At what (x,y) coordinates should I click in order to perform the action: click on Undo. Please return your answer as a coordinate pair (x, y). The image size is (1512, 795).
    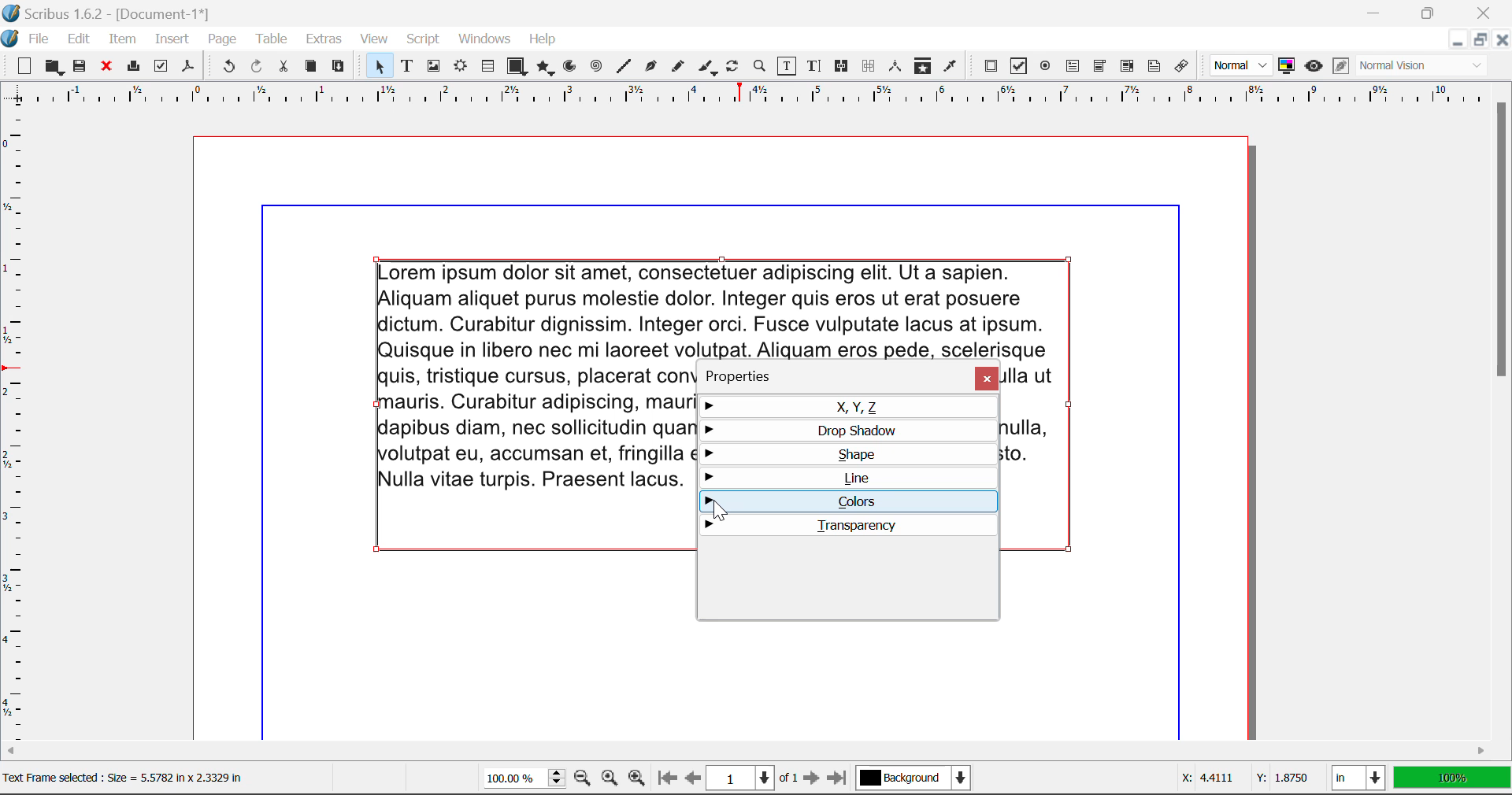
    Looking at the image, I should click on (228, 68).